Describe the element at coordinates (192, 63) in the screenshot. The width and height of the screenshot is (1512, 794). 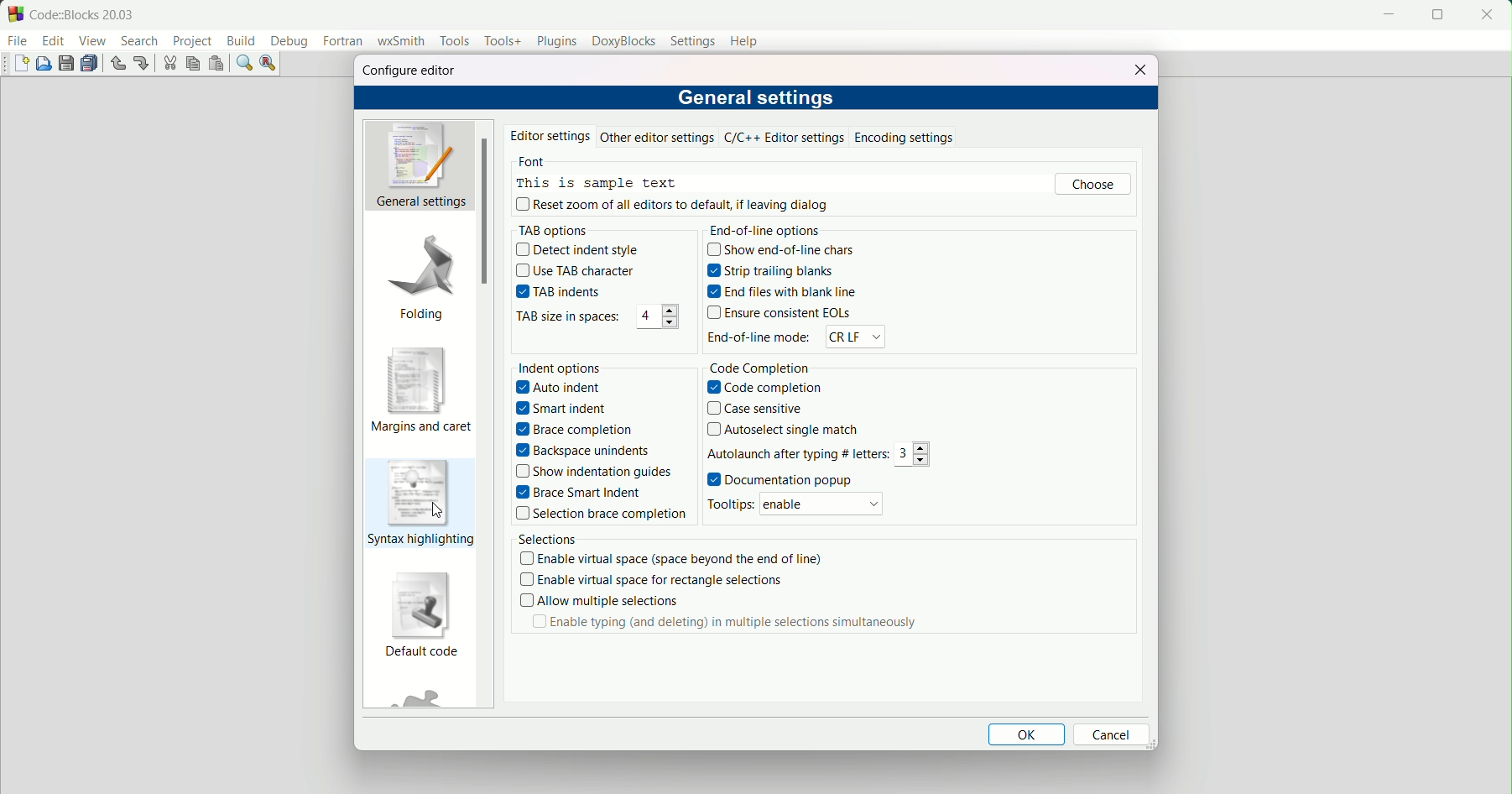
I see `copy` at that location.